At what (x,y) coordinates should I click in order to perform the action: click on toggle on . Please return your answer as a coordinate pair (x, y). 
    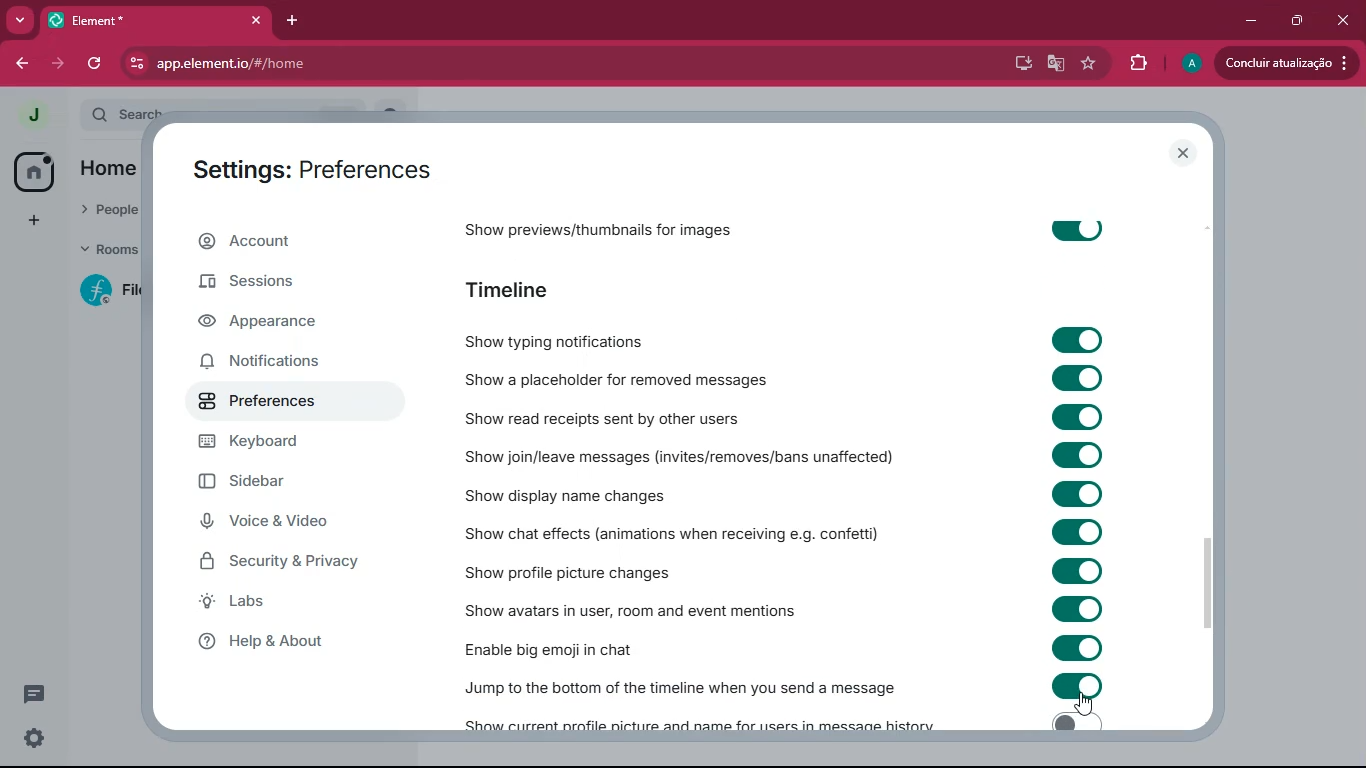
    Looking at the image, I should click on (1081, 648).